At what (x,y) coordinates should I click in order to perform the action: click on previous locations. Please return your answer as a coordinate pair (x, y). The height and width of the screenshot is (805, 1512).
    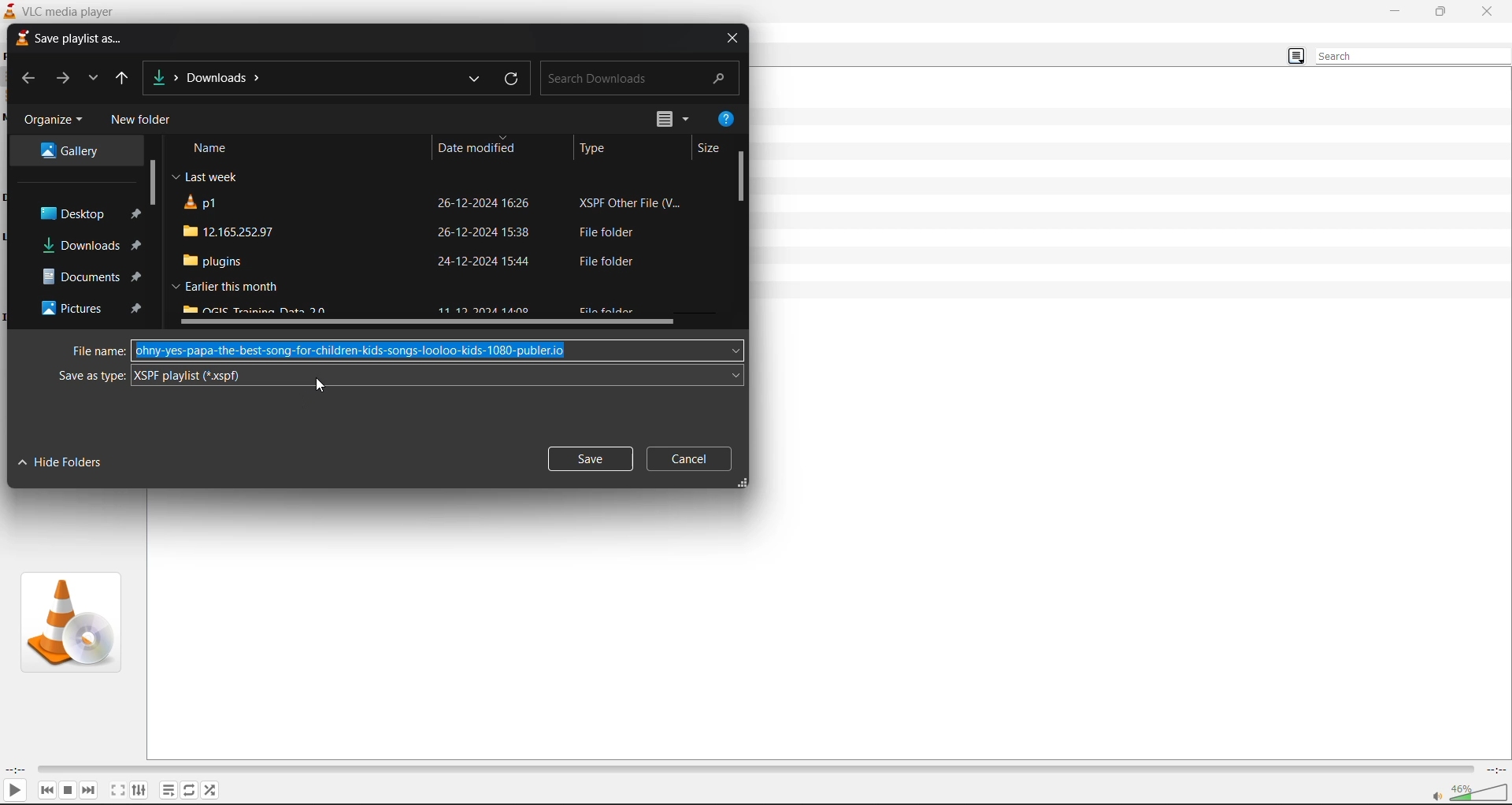
    Looking at the image, I should click on (472, 80).